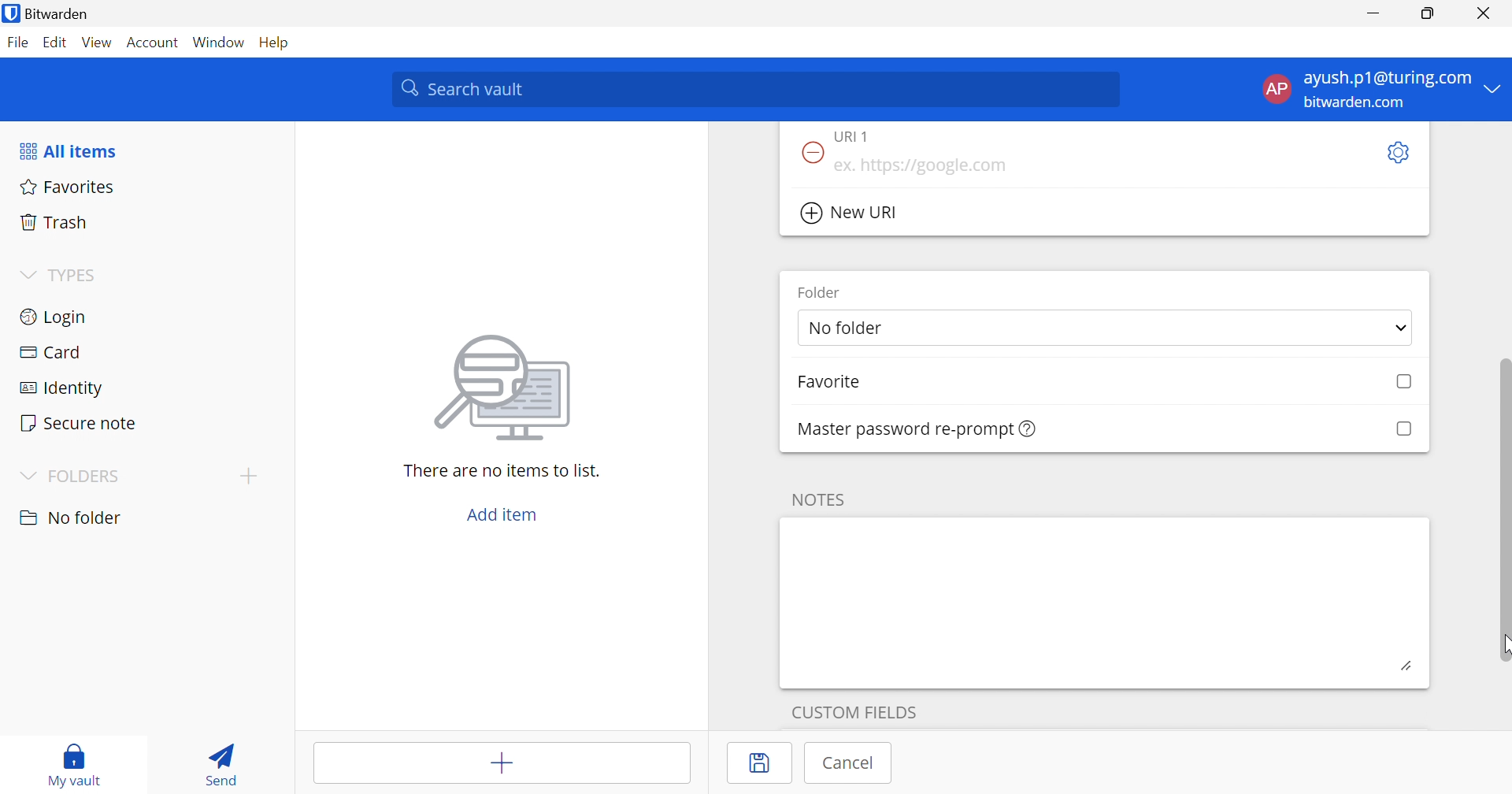 The image size is (1512, 794). Describe the element at coordinates (507, 383) in the screenshot. I see `image` at that location.